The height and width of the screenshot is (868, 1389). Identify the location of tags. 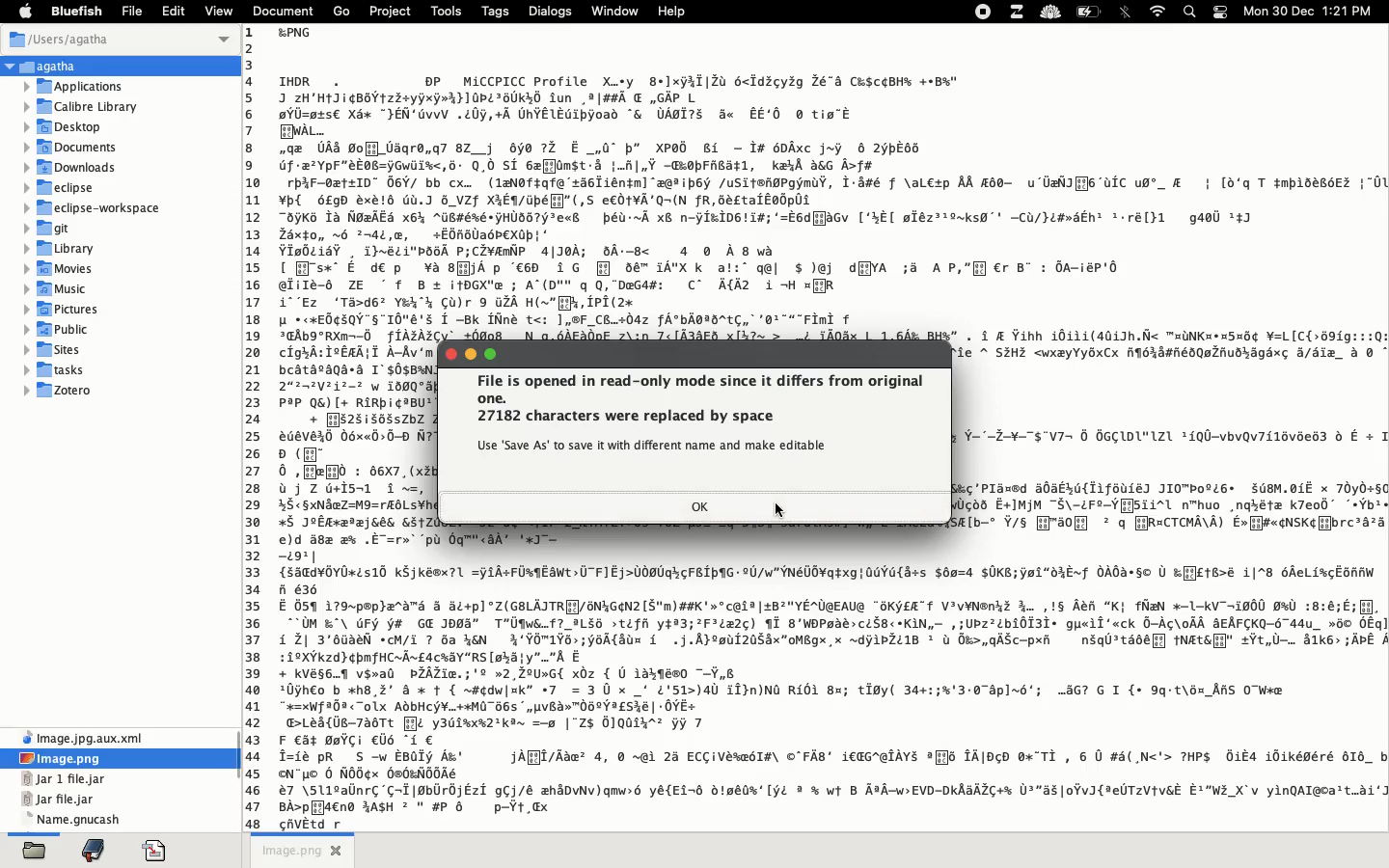
(499, 13).